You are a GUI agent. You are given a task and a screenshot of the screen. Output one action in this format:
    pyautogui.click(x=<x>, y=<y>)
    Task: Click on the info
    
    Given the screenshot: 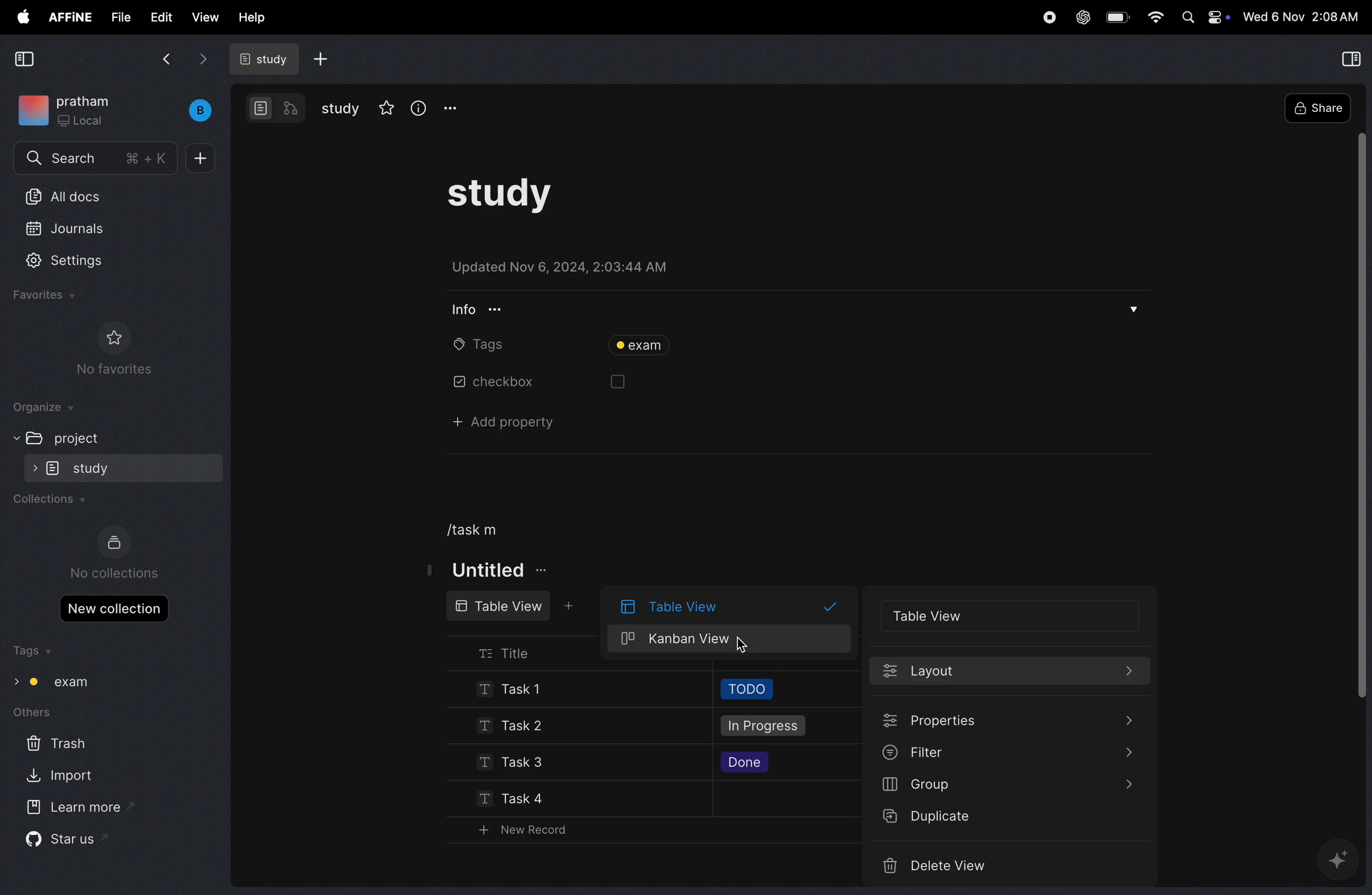 What is the action you would take?
    pyautogui.click(x=418, y=108)
    